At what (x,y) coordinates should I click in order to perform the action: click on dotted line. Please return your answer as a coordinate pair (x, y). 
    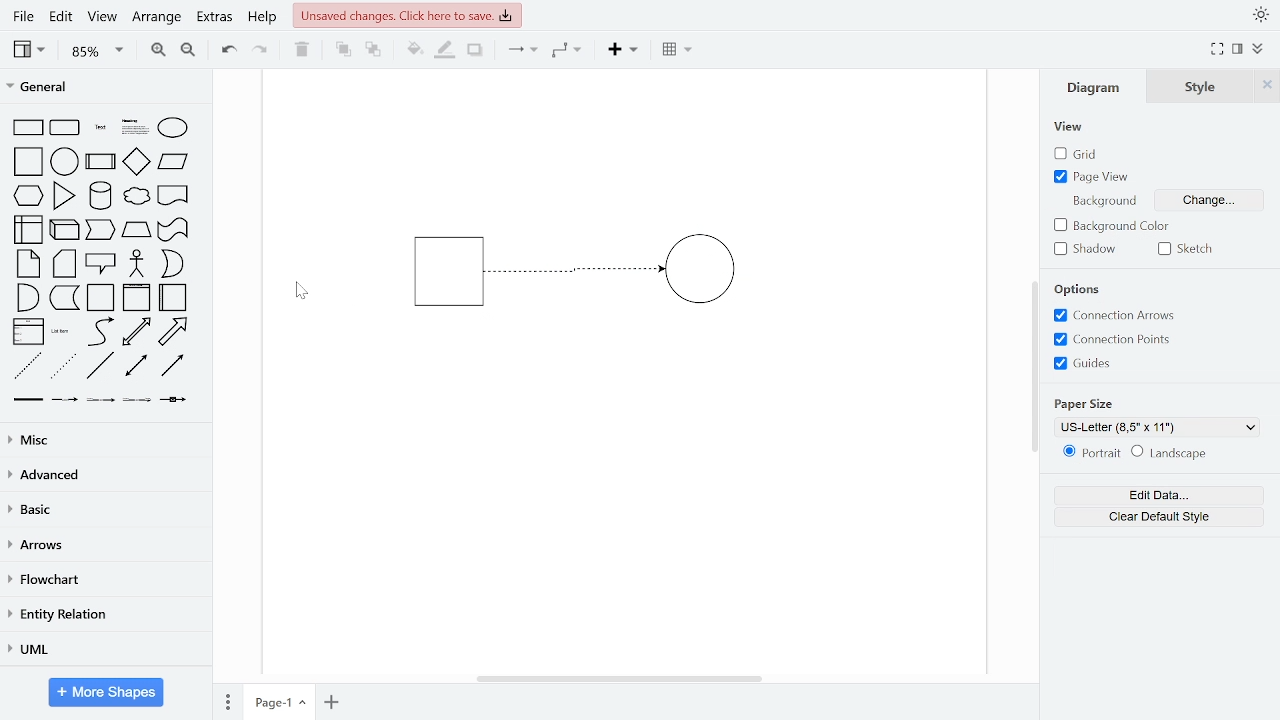
    Looking at the image, I should click on (63, 367).